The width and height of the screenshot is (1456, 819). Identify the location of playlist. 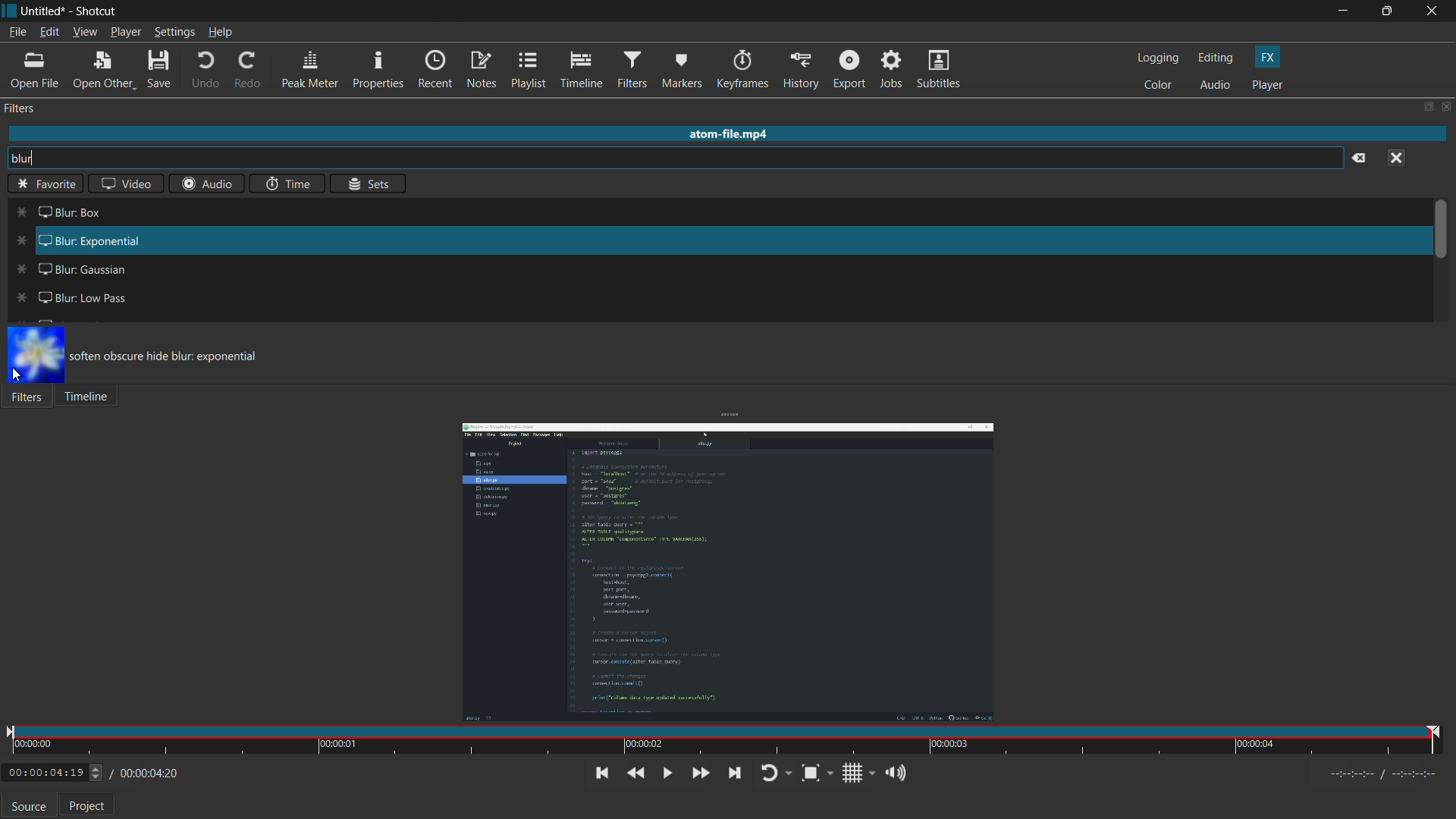
(527, 69).